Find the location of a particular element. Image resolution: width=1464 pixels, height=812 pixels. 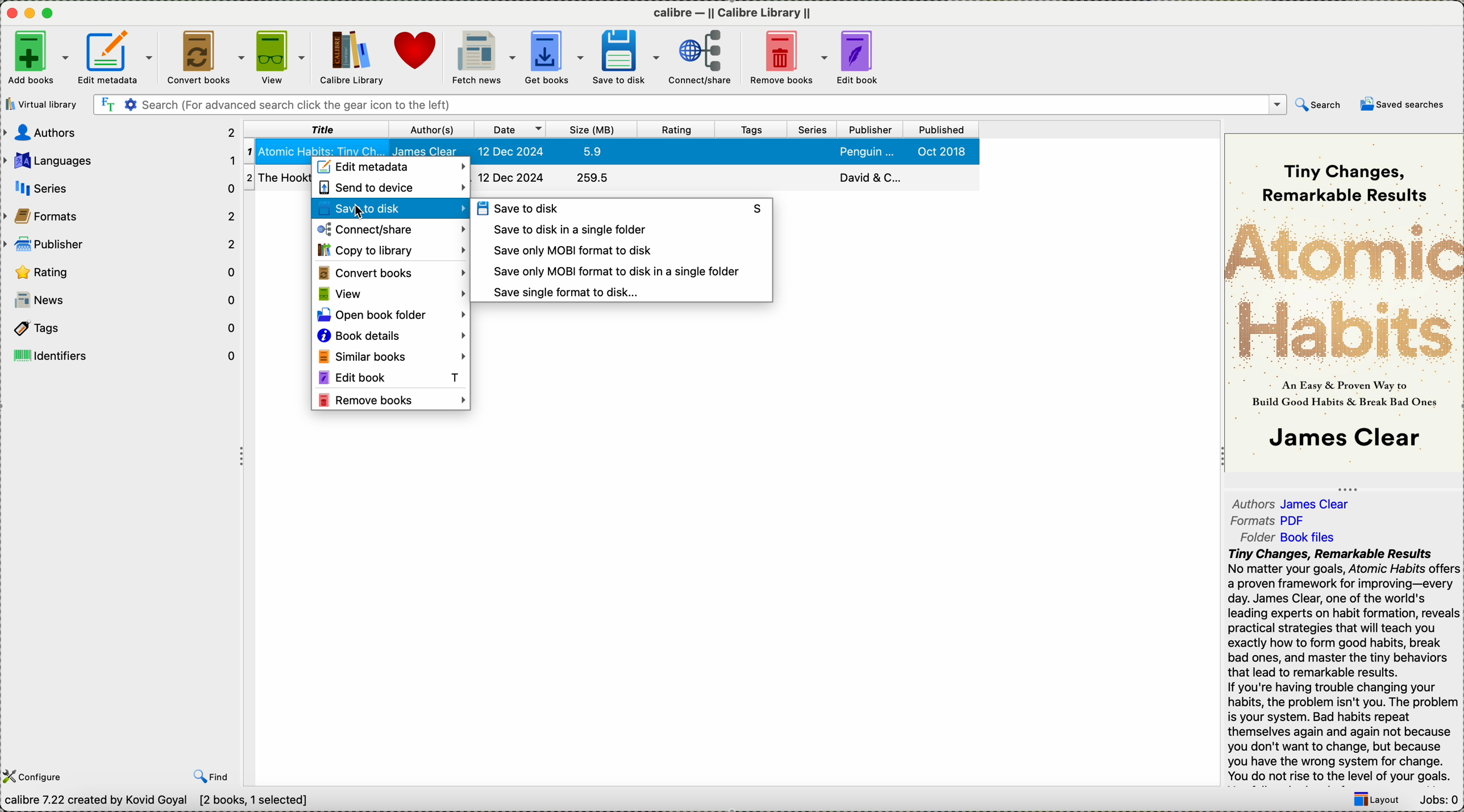

book details is located at coordinates (390, 338).